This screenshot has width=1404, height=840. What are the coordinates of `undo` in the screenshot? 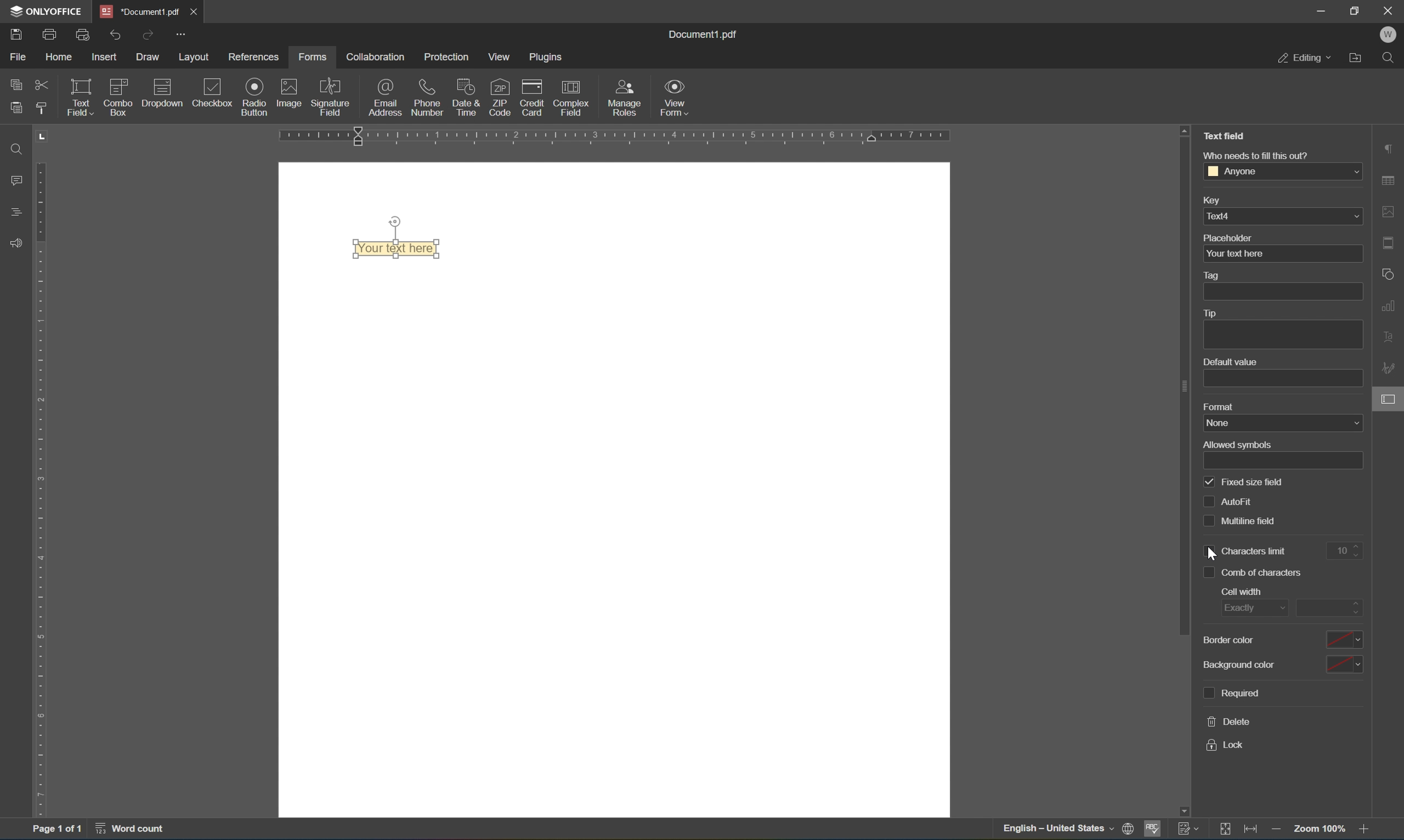 It's located at (112, 35).